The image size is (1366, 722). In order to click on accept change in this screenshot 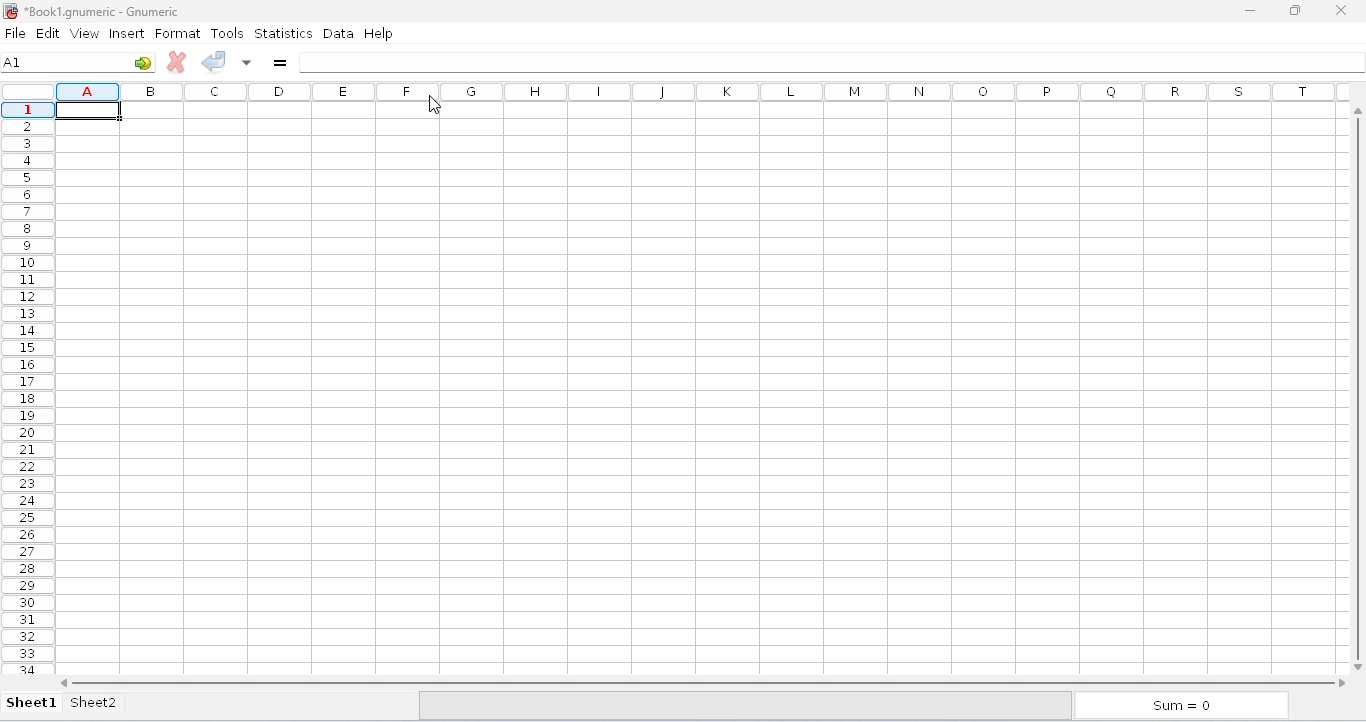, I will do `click(213, 61)`.